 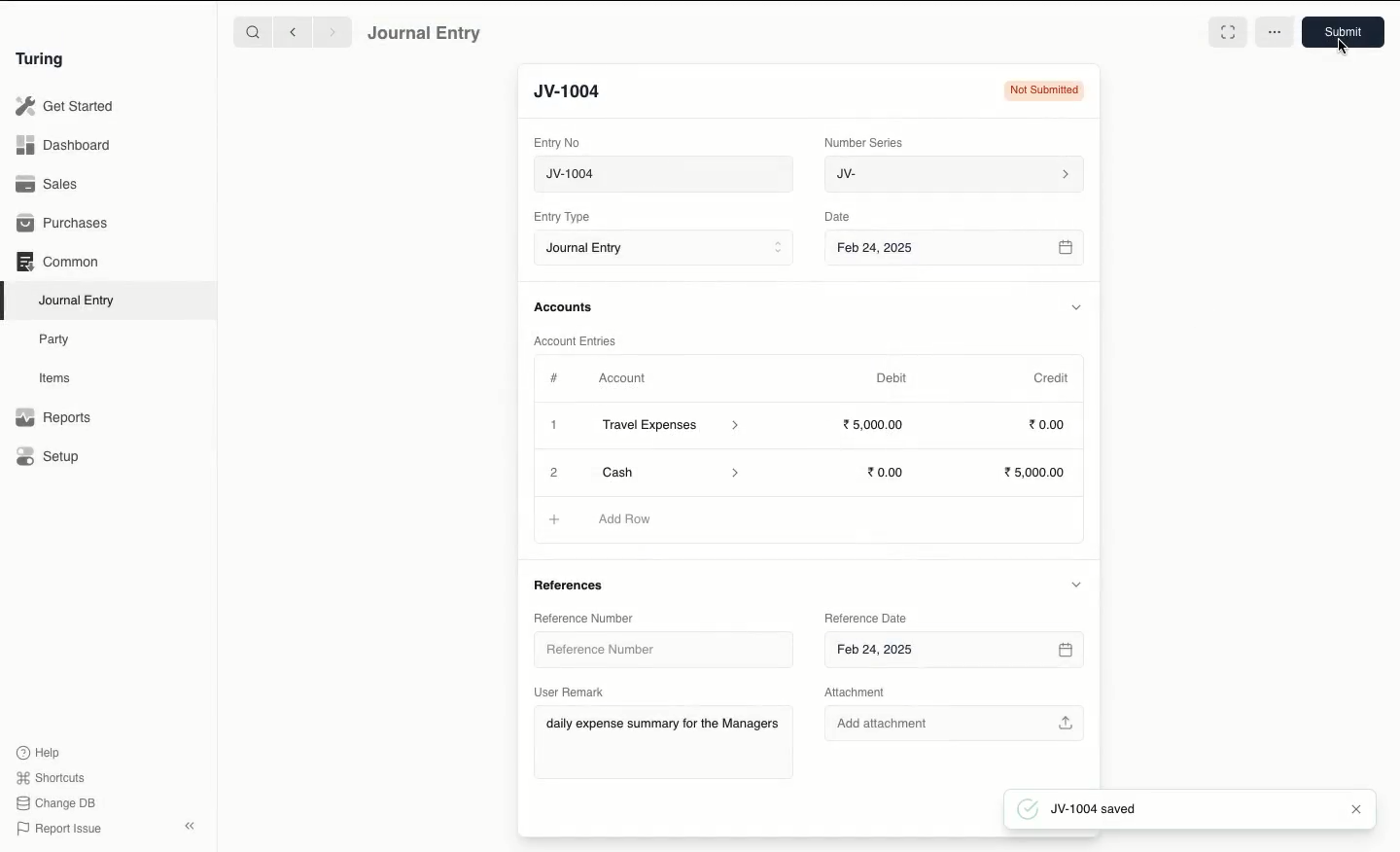 I want to click on Search, so click(x=252, y=31).